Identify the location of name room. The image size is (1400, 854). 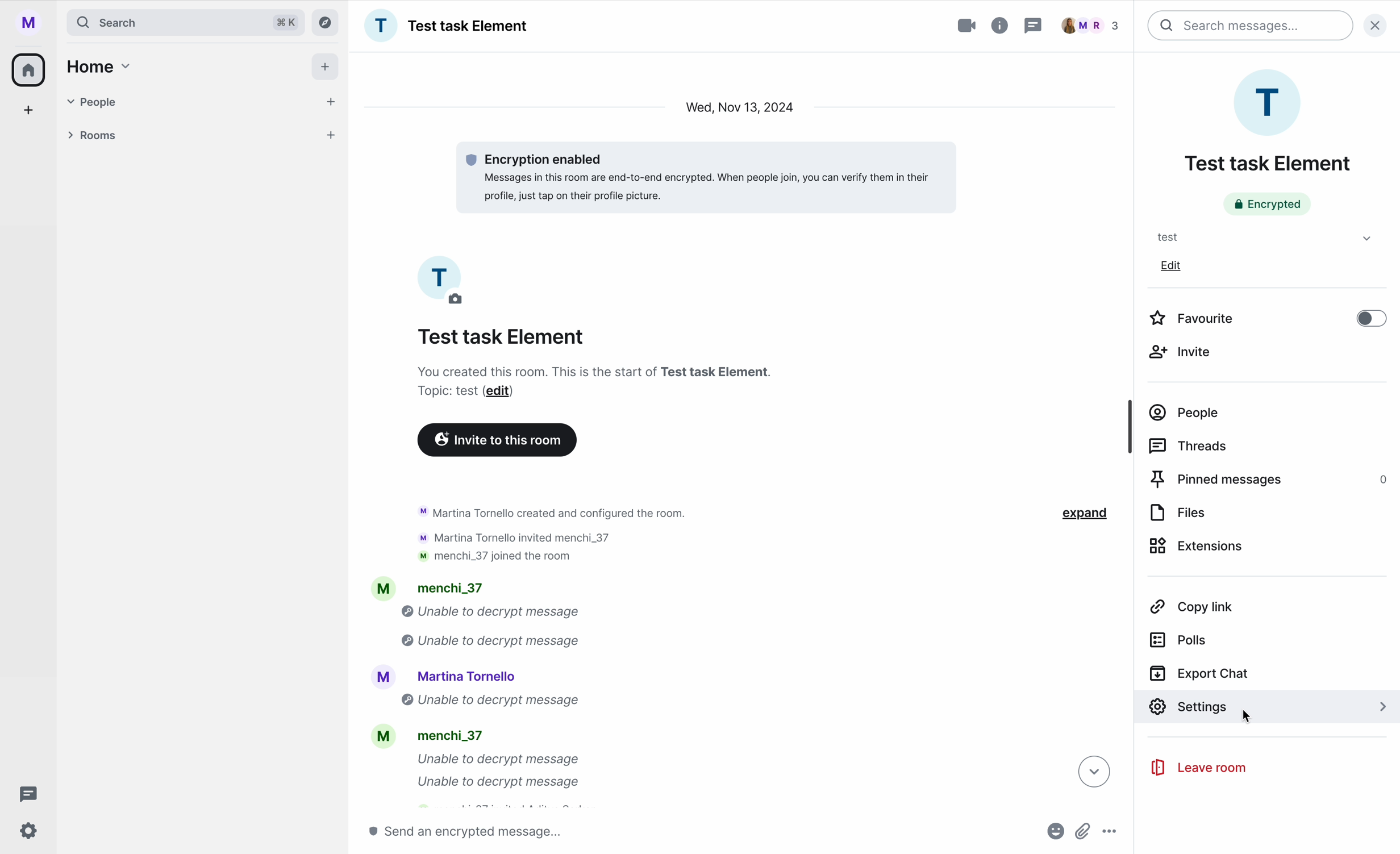
(1267, 164).